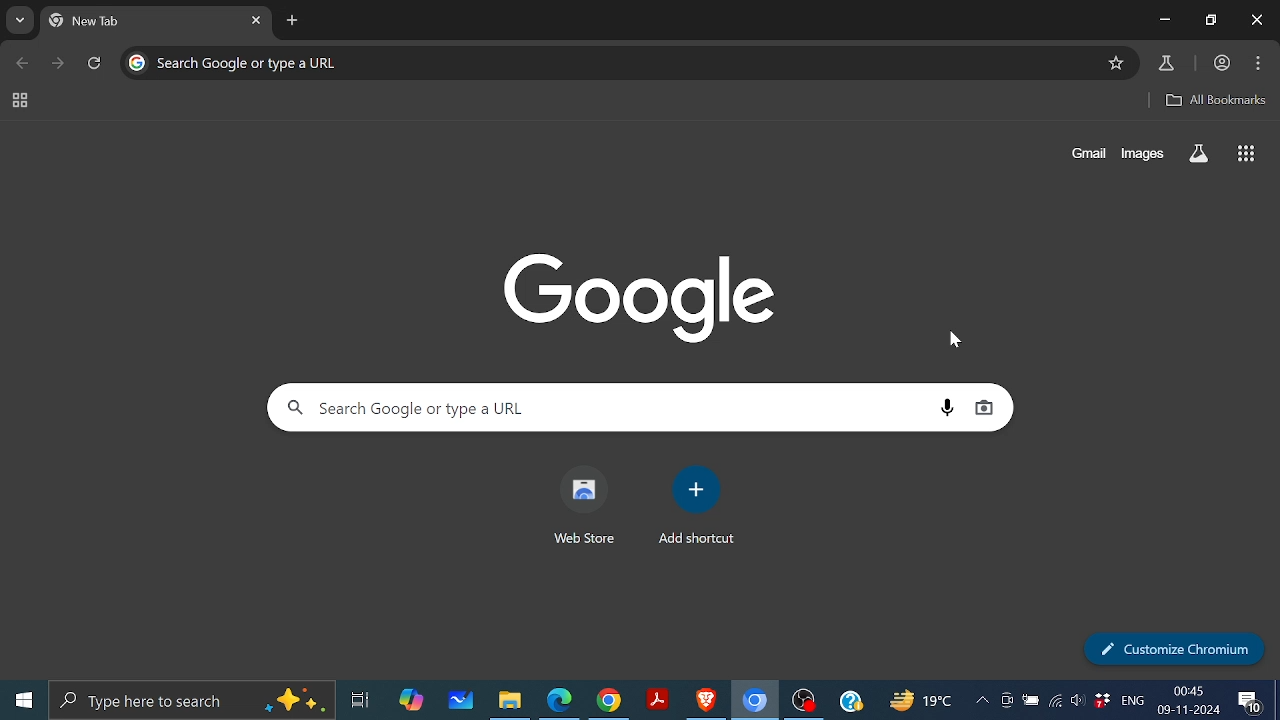 The image size is (1280, 720). I want to click on Search by image, so click(987, 409).